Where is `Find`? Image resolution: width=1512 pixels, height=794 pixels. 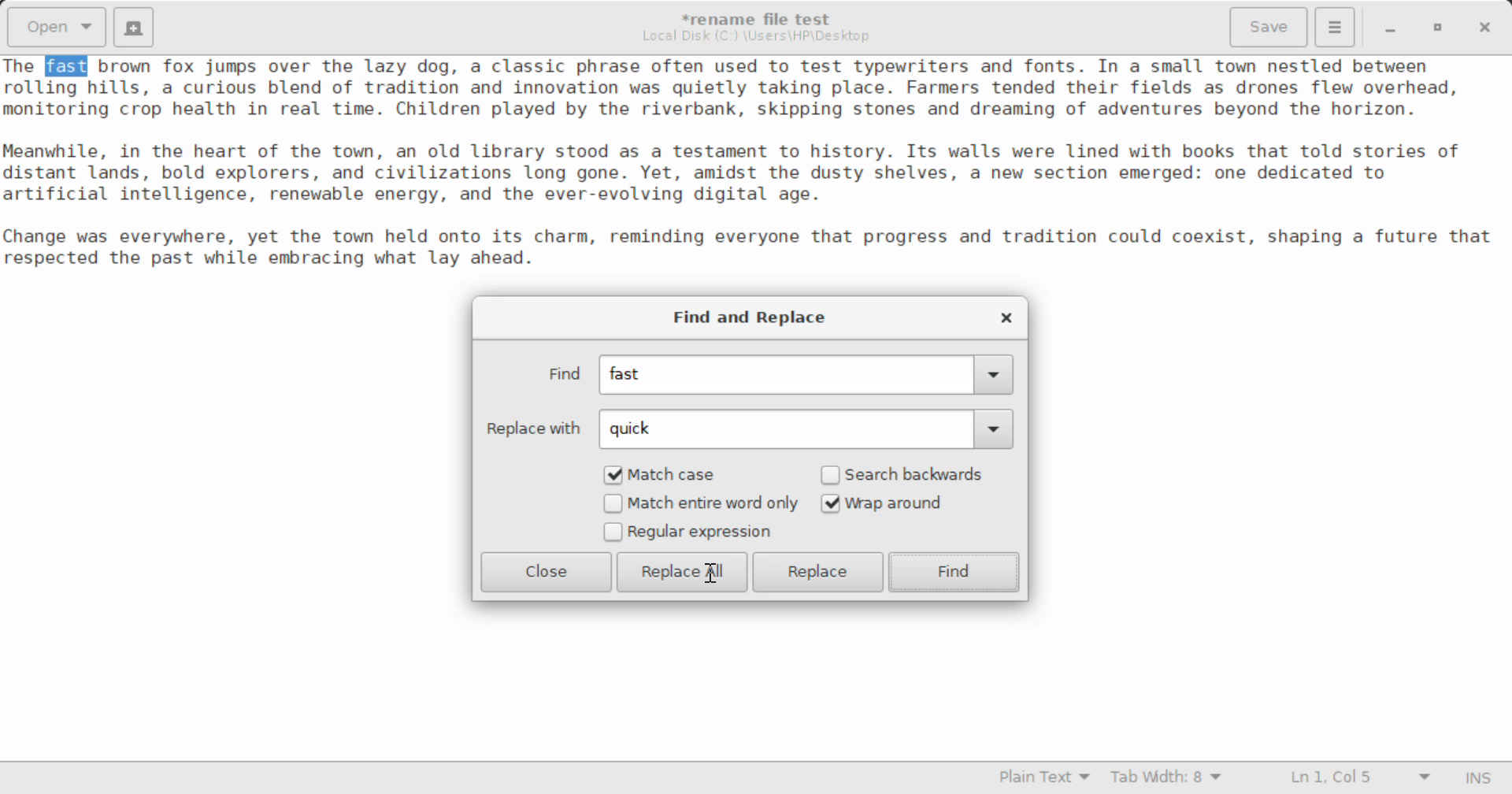
Find is located at coordinates (955, 572).